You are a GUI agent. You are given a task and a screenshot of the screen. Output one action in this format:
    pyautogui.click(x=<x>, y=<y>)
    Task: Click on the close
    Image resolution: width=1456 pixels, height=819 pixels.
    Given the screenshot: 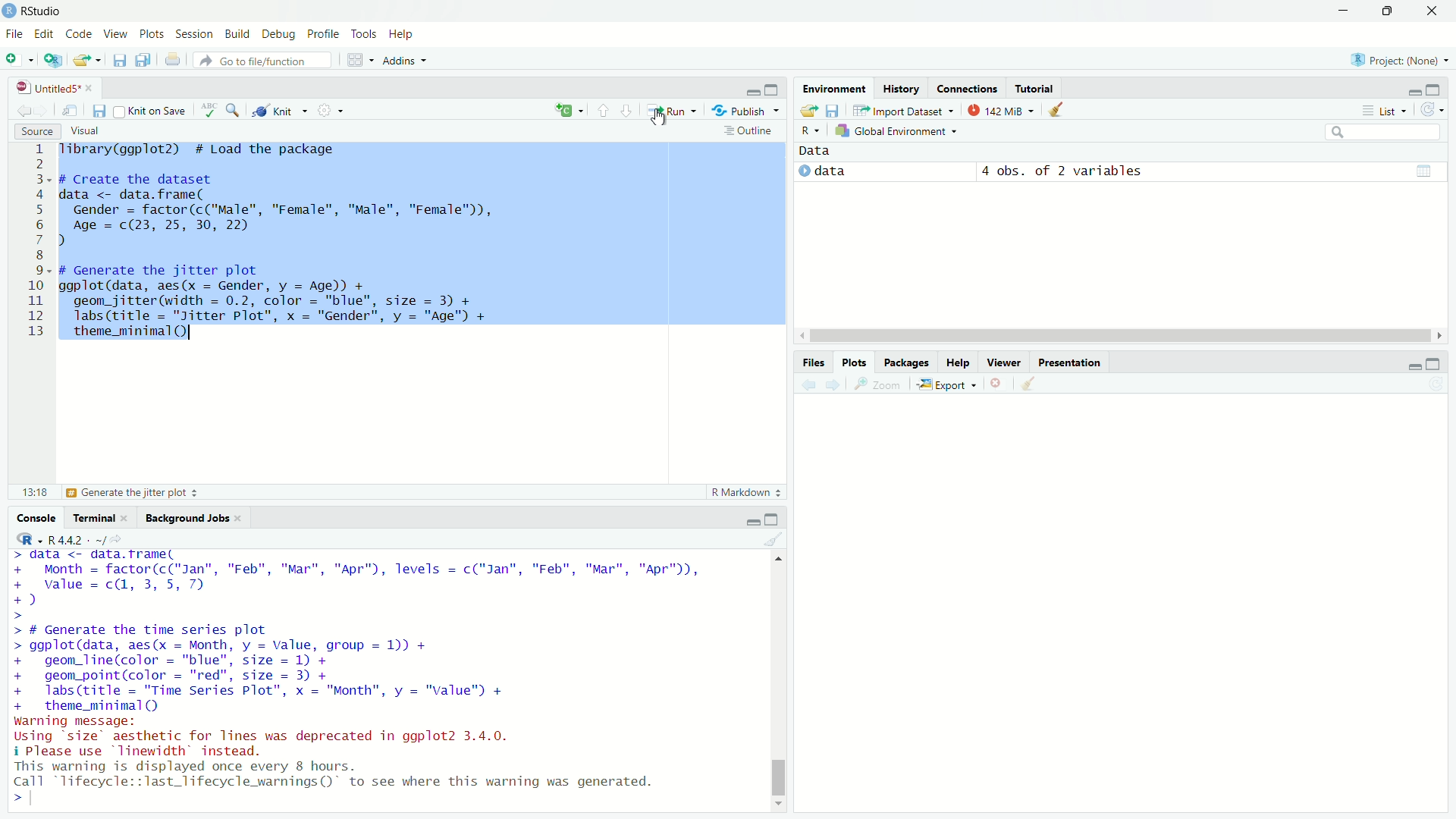 What is the action you would take?
    pyautogui.click(x=129, y=517)
    